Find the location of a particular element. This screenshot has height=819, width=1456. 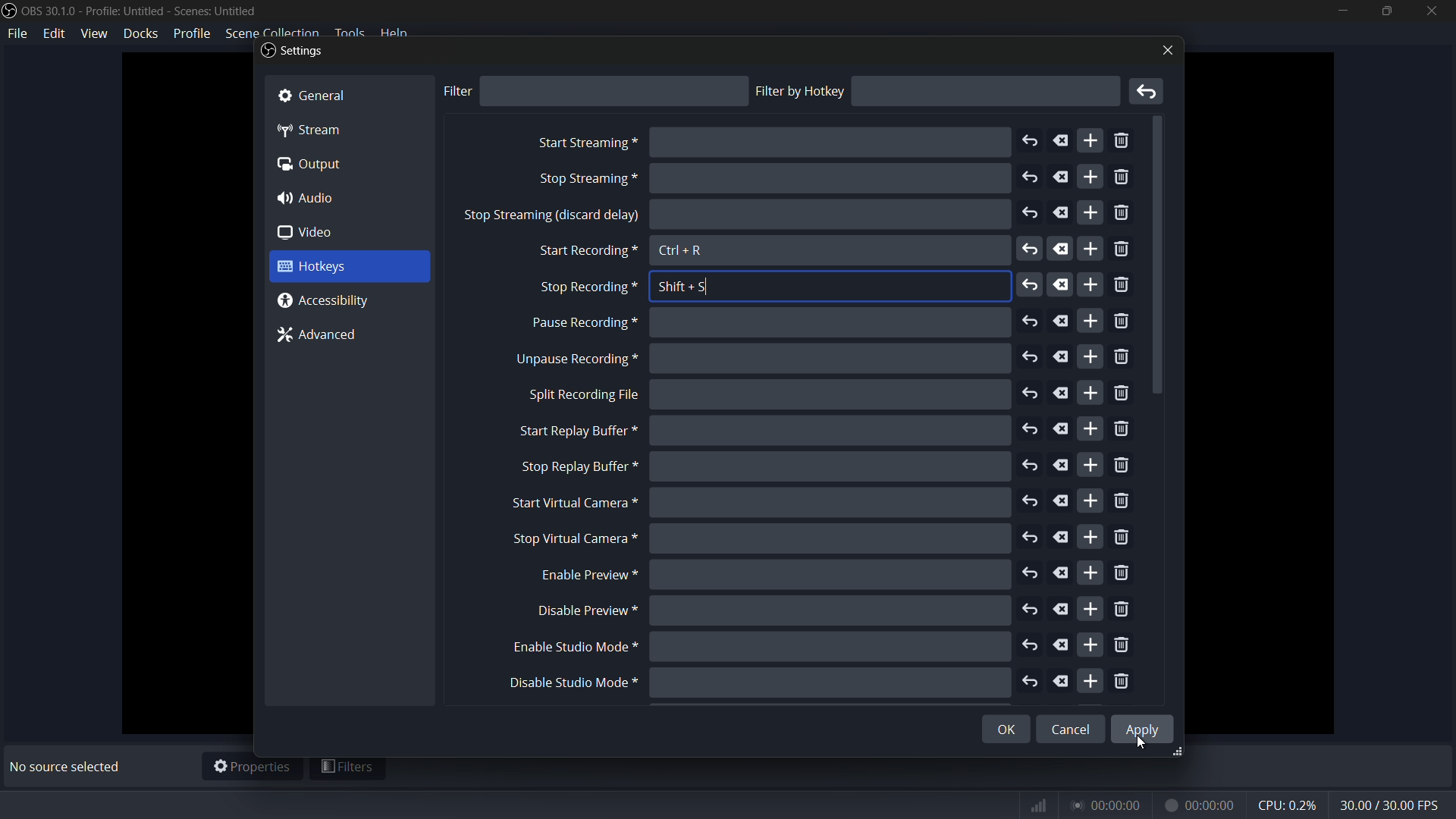

pause recording is located at coordinates (581, 324).